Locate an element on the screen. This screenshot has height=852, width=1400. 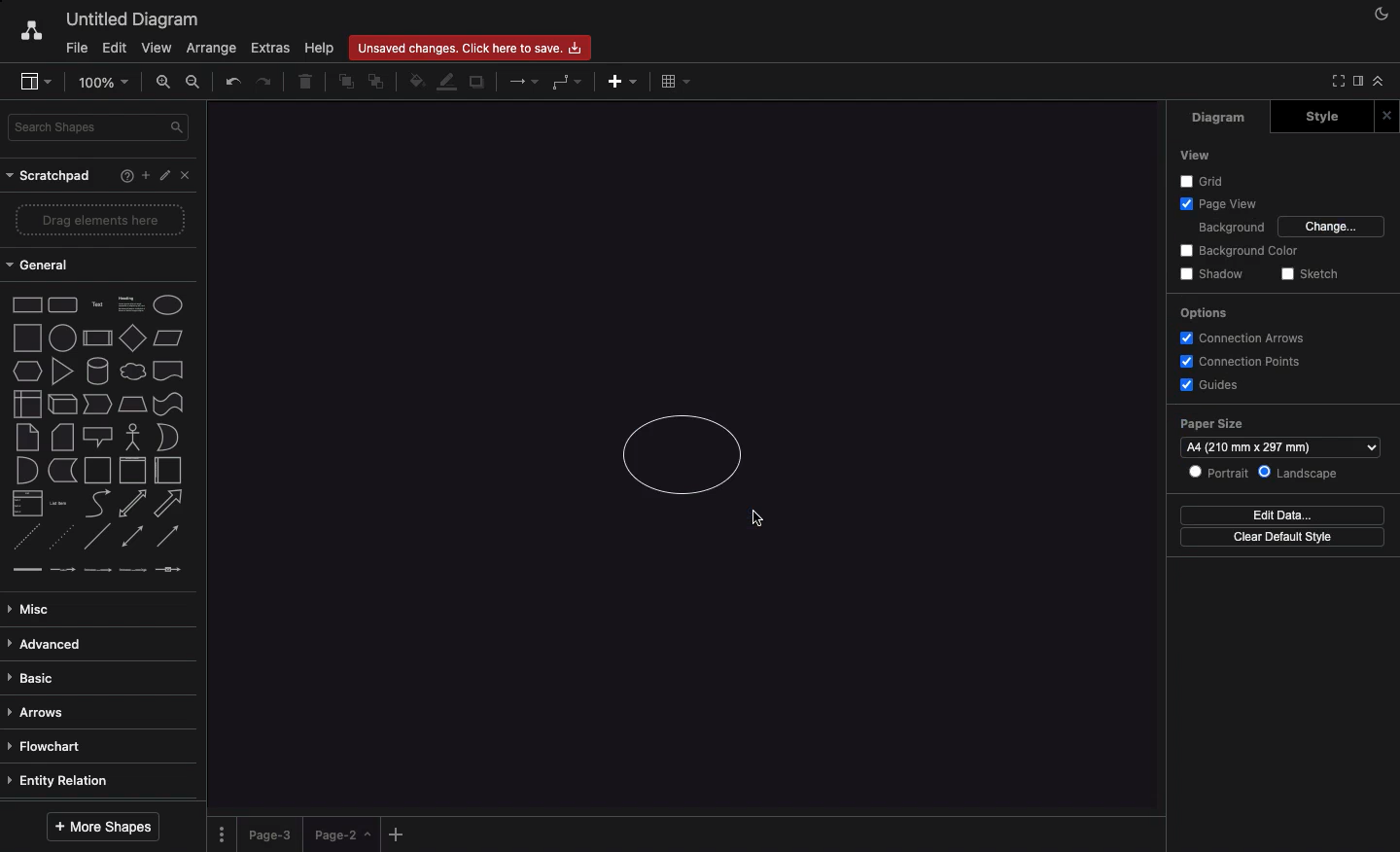
Style is located at coordinates (1317, 118).